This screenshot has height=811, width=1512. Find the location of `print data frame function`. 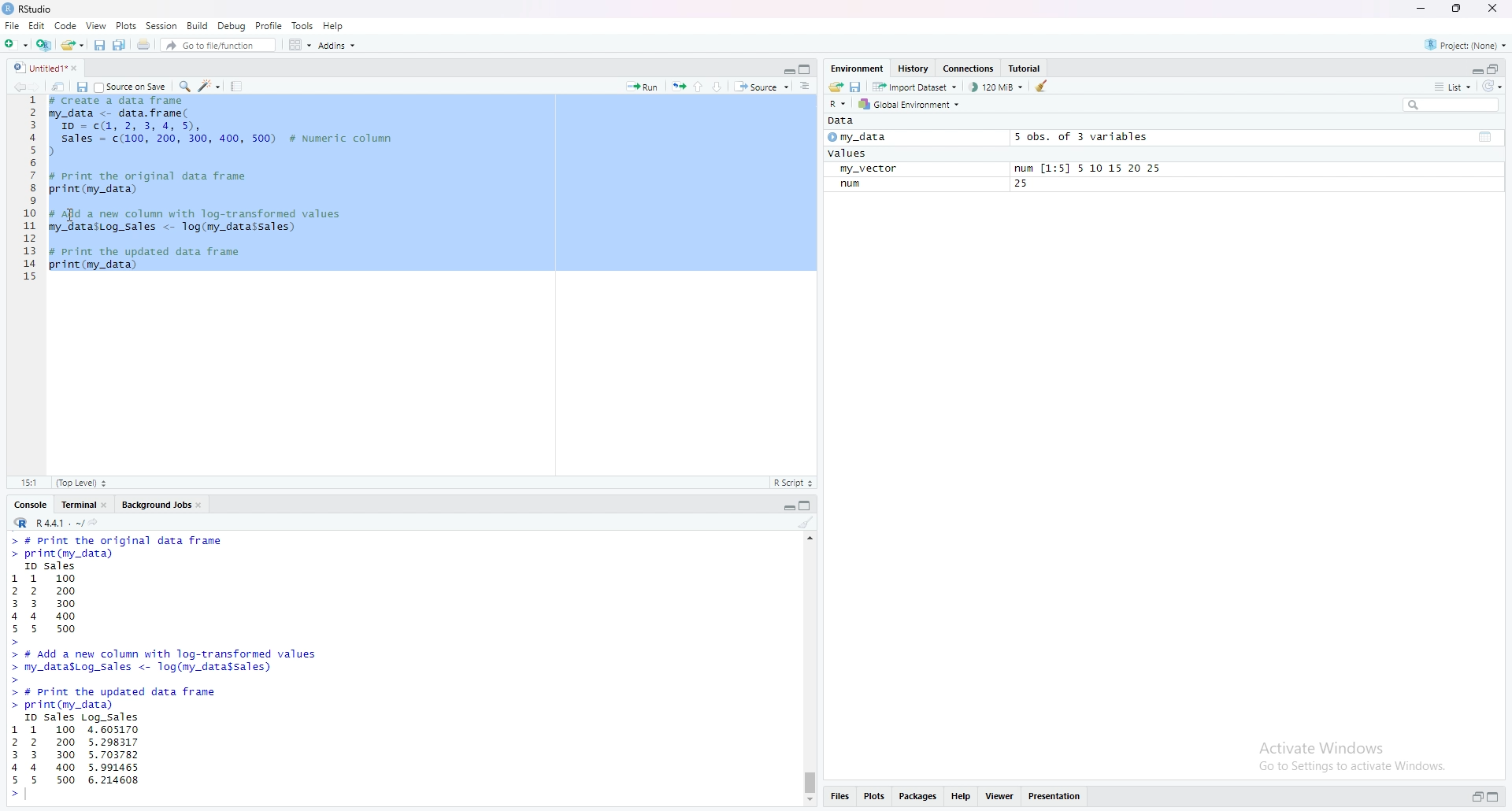

print data frame function is located at coordinates (132, 698).